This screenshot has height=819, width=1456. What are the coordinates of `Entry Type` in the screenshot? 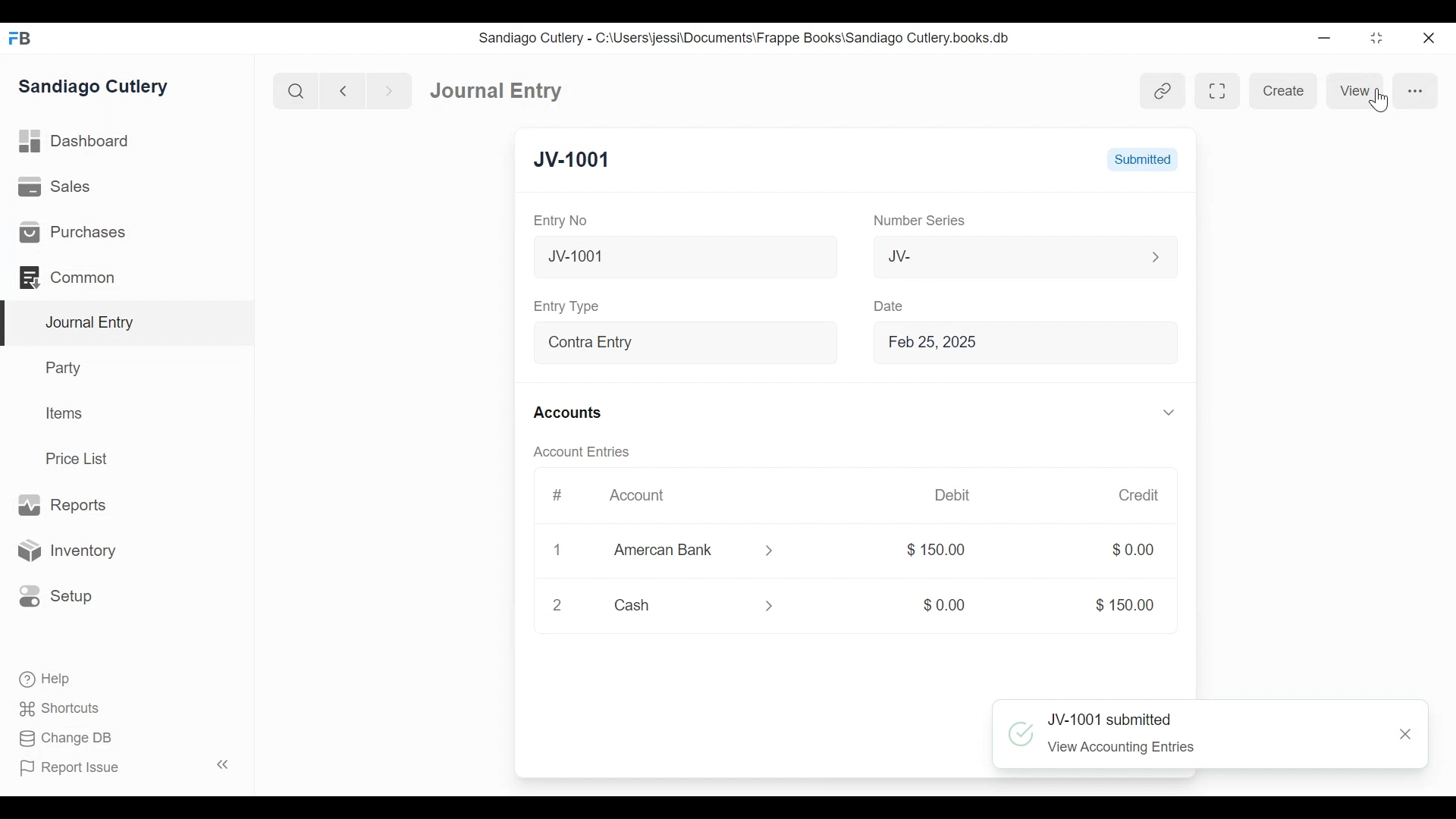 It's located at (569, 306).